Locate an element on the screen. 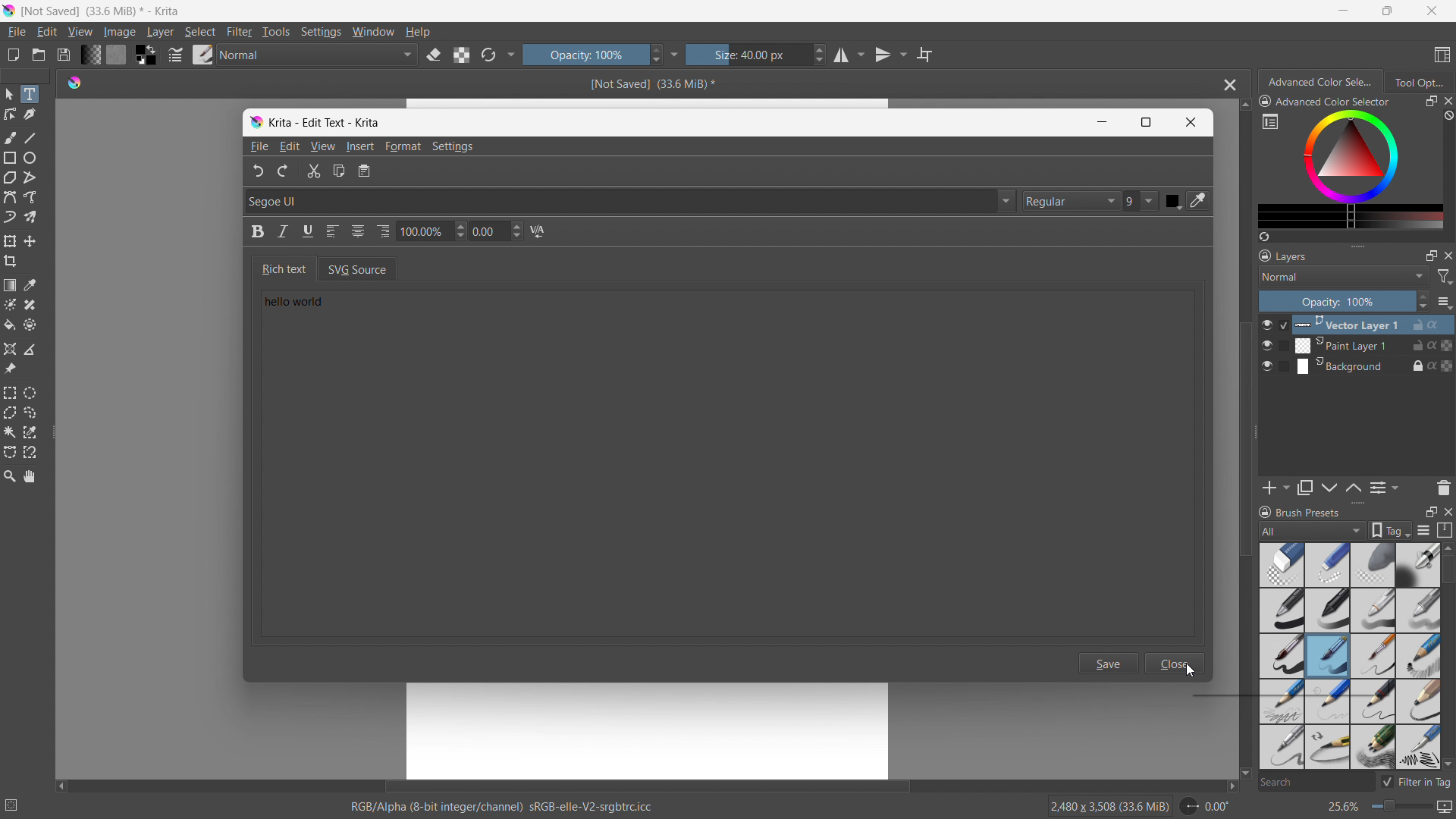 The height and width of the screenshot is (819, 1456). scroll right is located at coordinates (1227, 786).